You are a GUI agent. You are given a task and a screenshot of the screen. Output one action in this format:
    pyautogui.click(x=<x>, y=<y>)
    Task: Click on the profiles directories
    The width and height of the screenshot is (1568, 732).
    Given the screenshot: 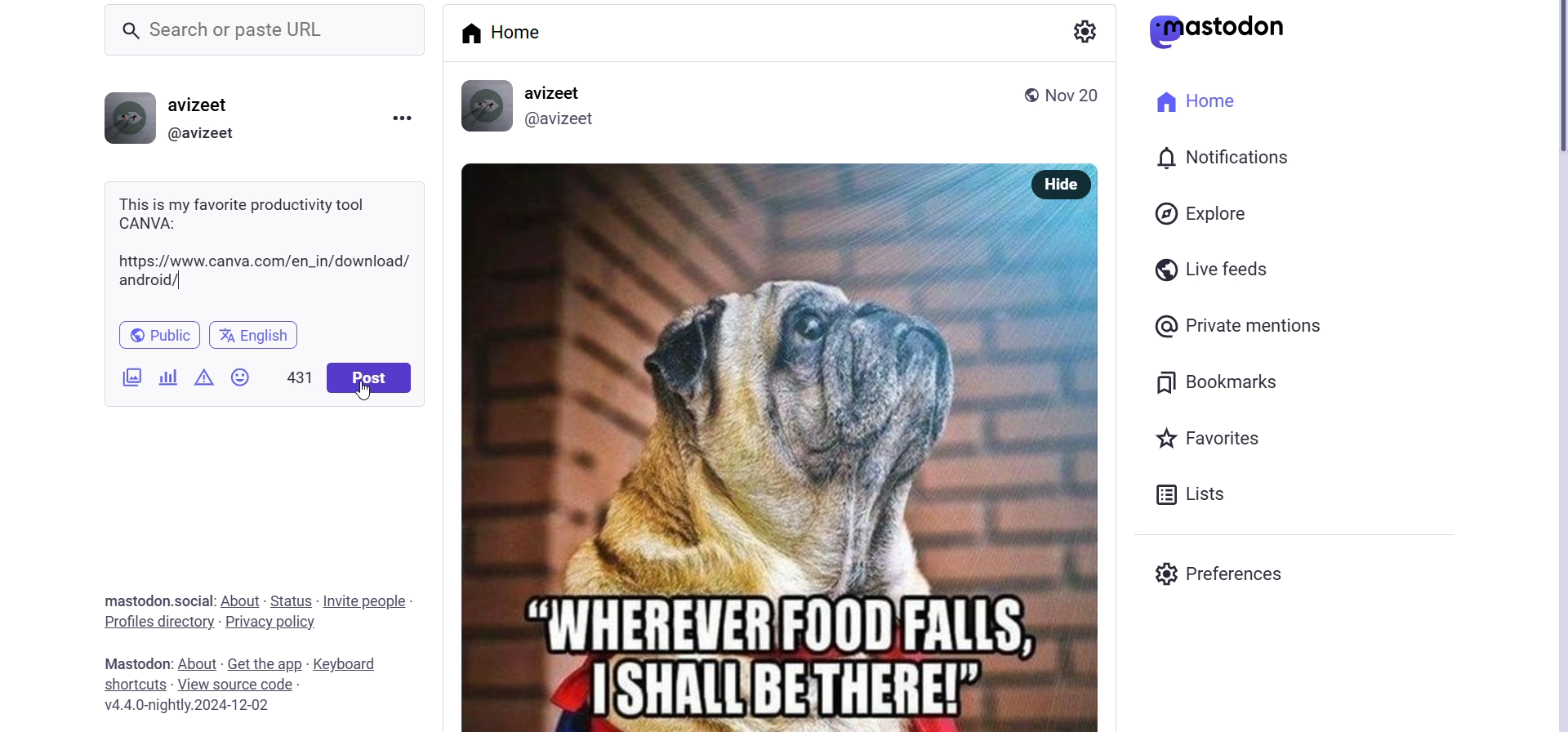 What is the action you would take?
    pyautogui.click(x=158, y=623)
    